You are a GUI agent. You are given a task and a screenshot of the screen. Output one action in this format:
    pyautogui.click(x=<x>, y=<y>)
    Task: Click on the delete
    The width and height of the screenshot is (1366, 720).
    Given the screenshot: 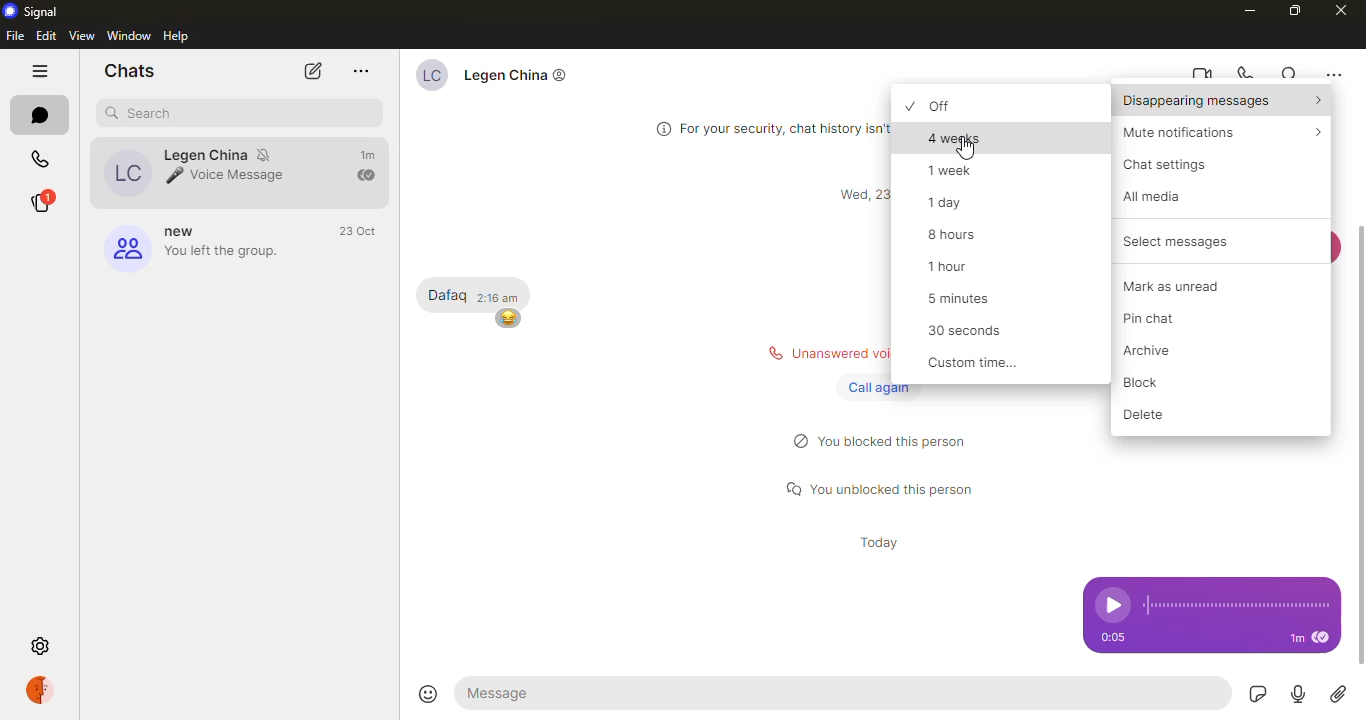 What is the action you would take?
    pyautogui.click(x=1151, y=414)
    